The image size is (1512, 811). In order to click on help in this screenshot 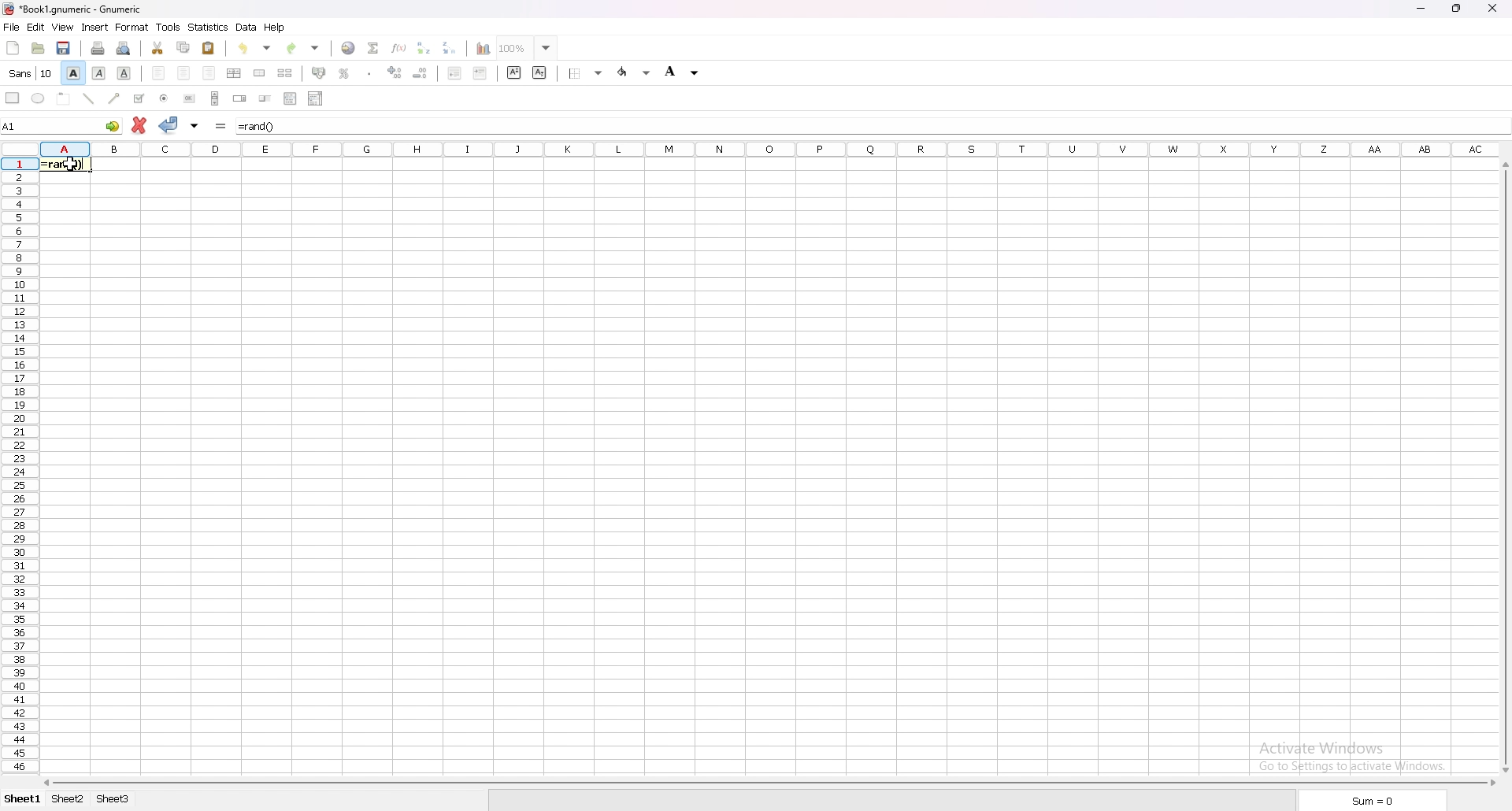, I will do `click(274, 28)`.